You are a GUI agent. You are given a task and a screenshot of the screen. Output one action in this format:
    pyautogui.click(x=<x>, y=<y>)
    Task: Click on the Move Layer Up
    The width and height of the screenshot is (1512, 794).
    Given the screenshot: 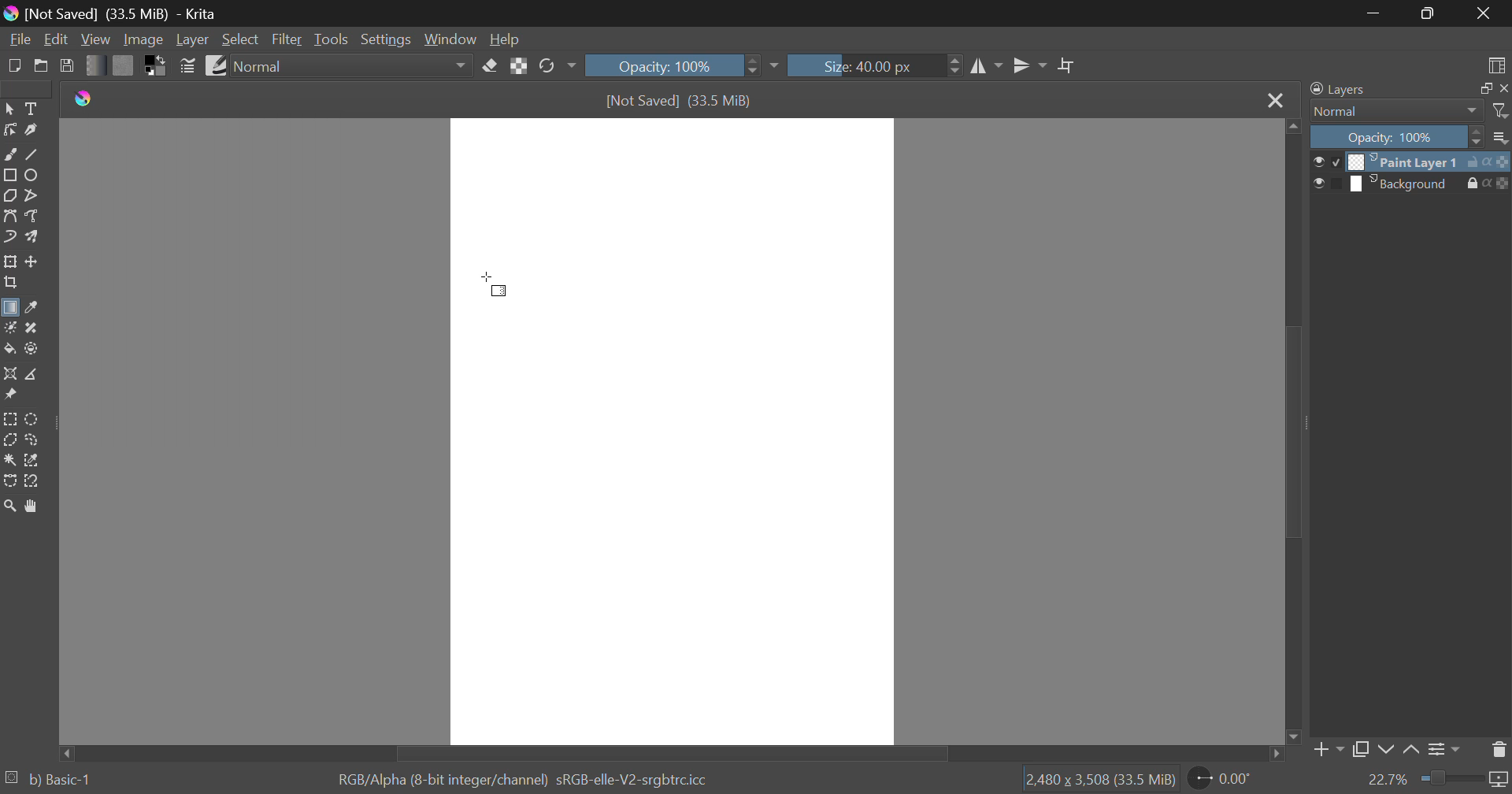 What is the action you would take?
    pyautogui.click(x=1412, y=751)
    